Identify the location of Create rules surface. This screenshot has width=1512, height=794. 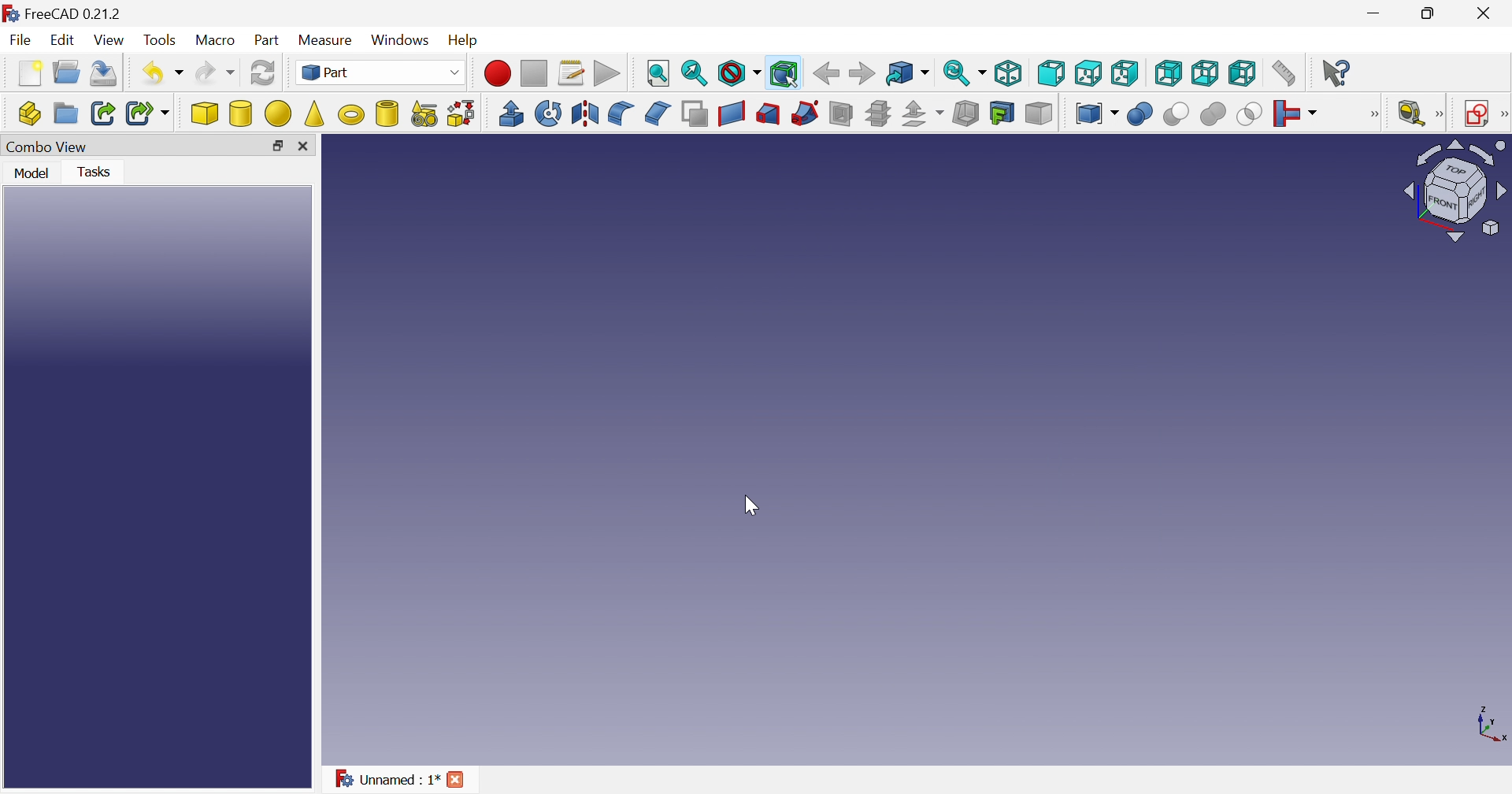
(731, 113).